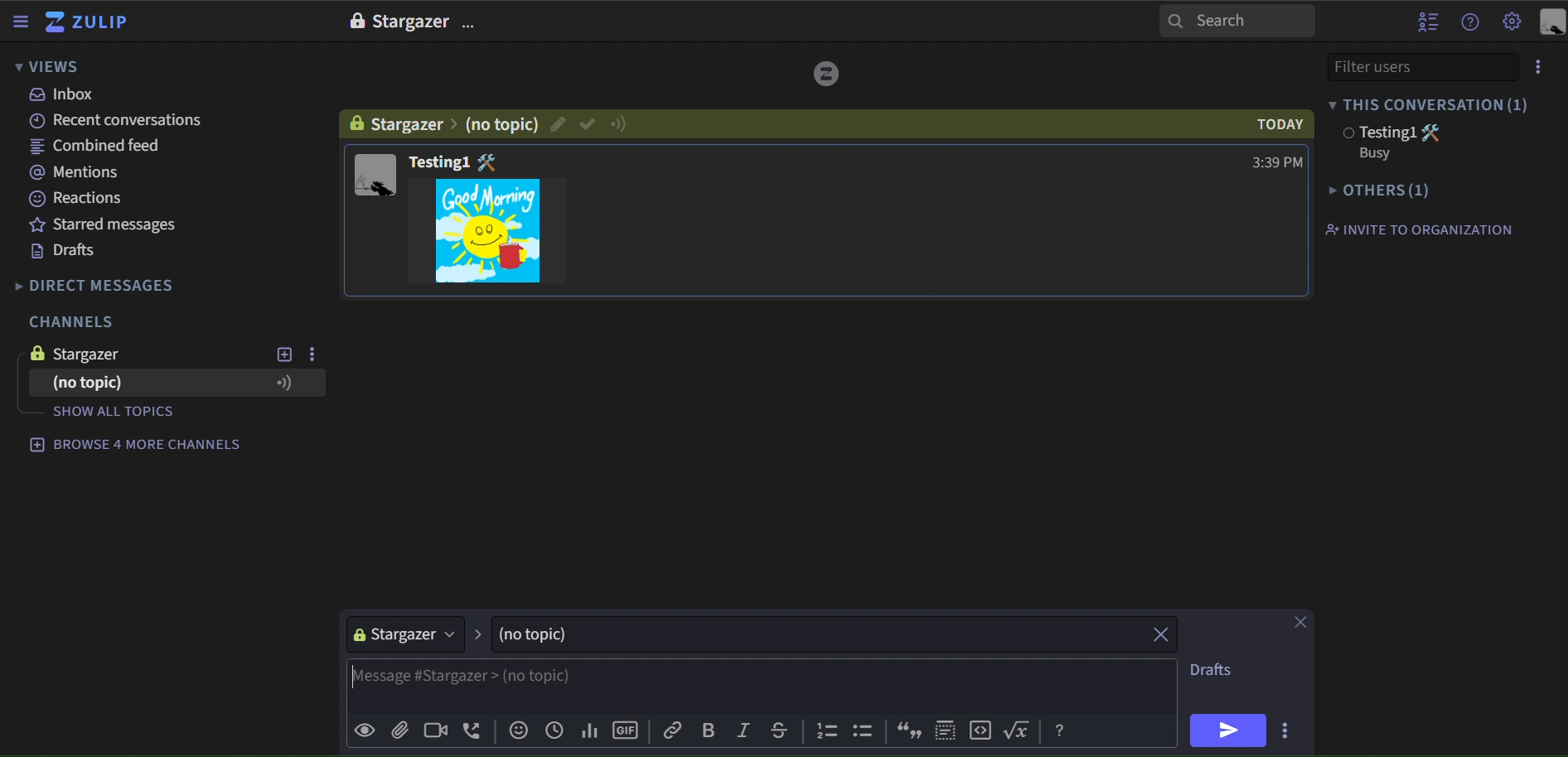  I want to click on >, so click(480, 633).